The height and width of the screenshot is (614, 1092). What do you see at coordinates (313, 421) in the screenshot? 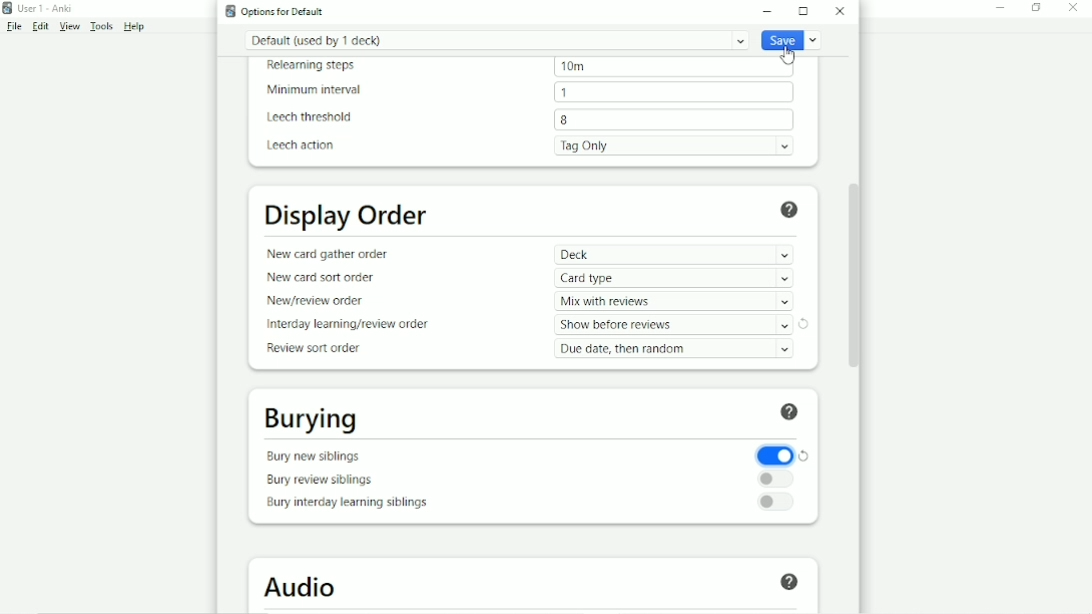
I see `Burying` at bounding box center [313, 421].